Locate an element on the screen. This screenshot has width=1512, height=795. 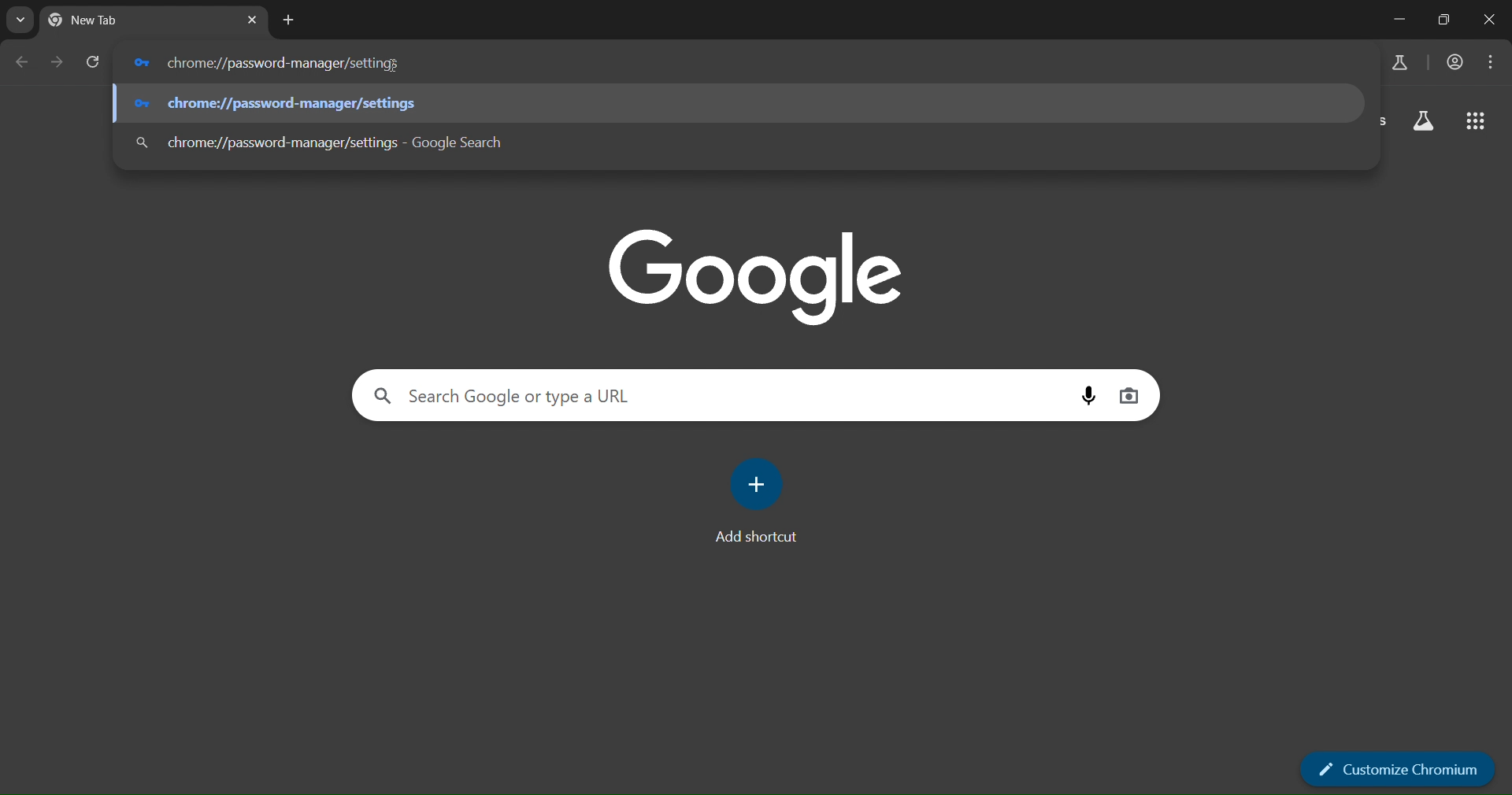
Google is located at coordinates (758, 274).